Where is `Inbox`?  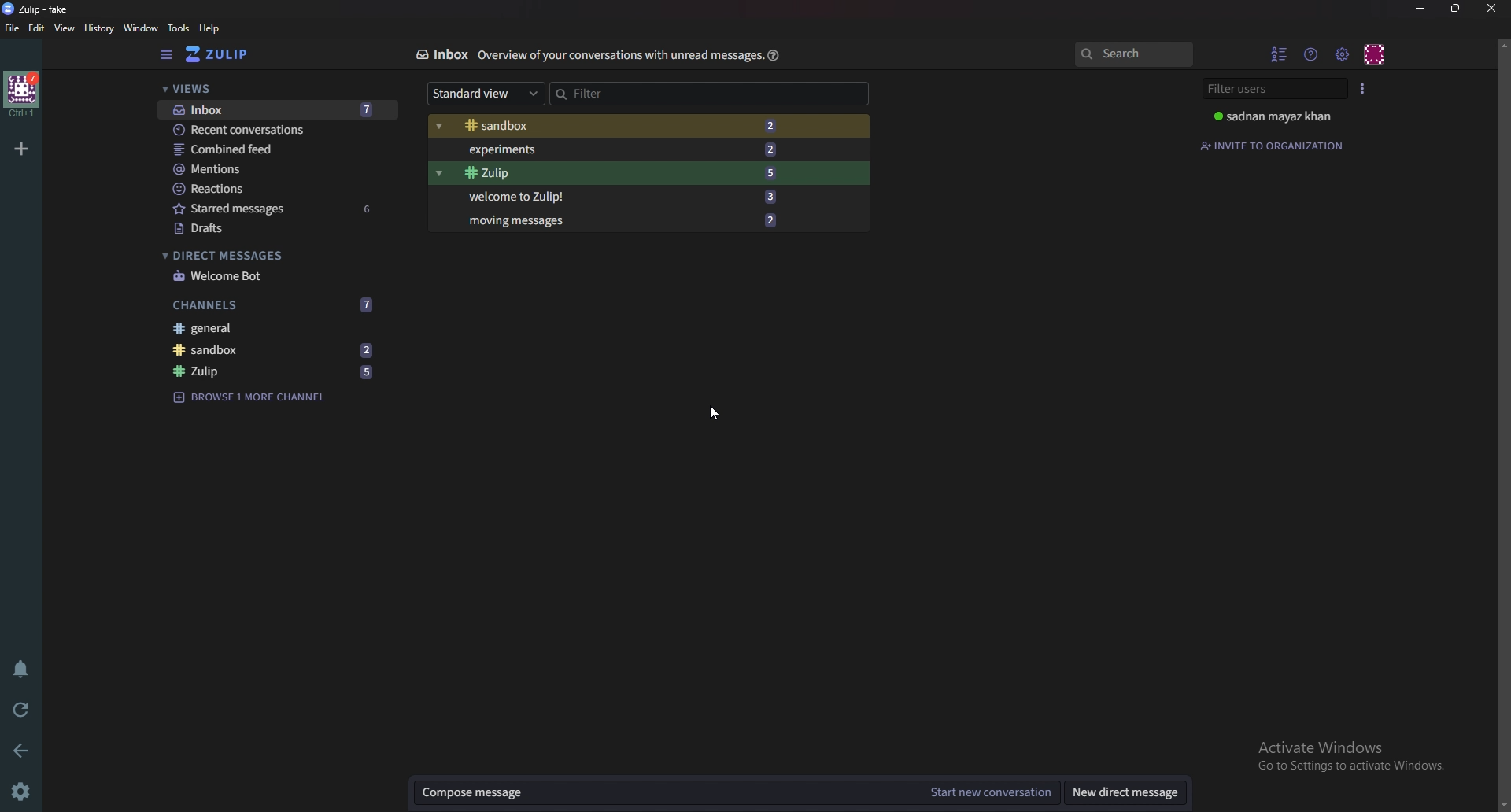
Inbox is located at coordinates (272, 109).